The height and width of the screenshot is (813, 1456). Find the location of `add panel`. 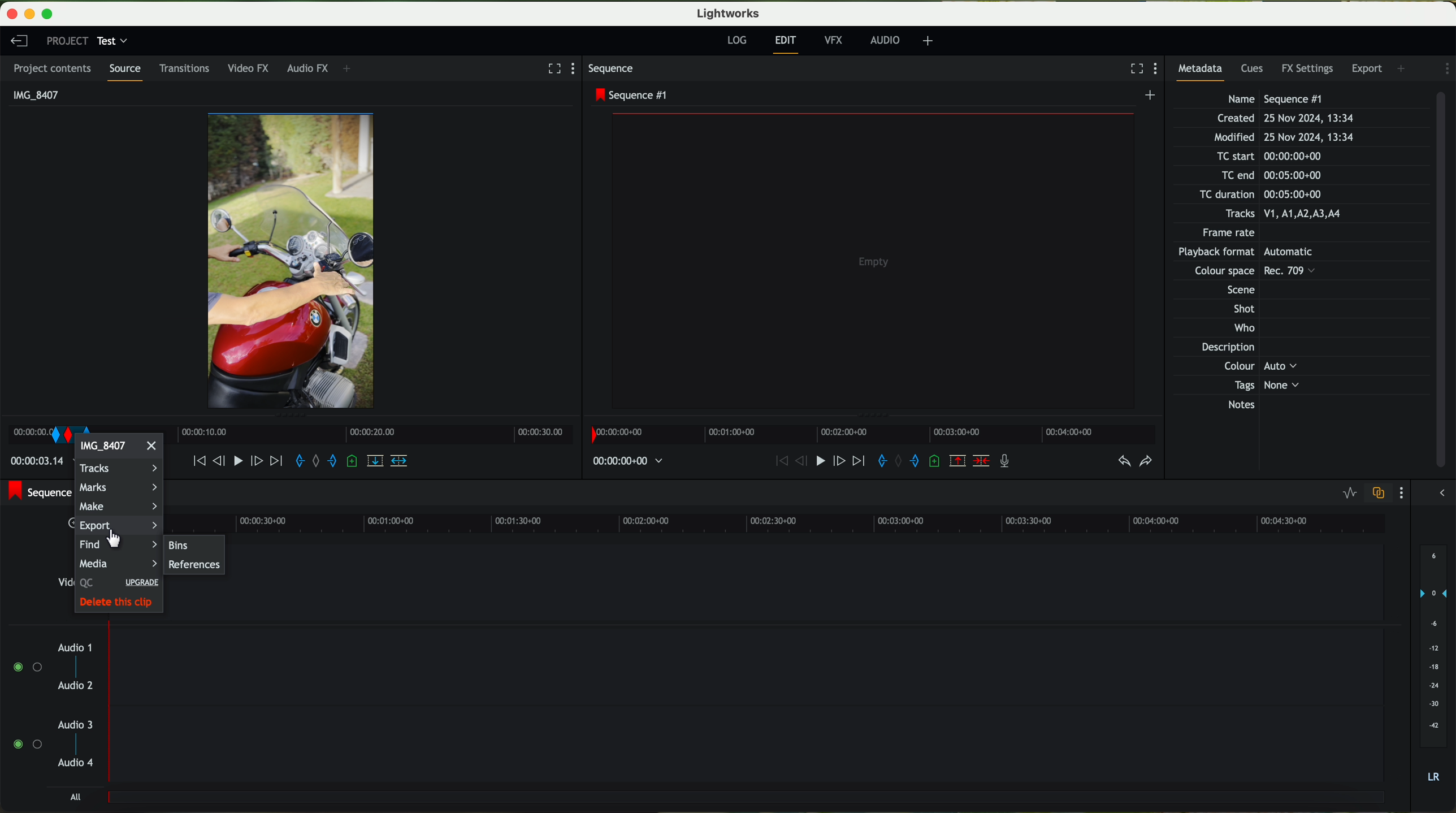

add panel is located at coordinates (1403, 67).